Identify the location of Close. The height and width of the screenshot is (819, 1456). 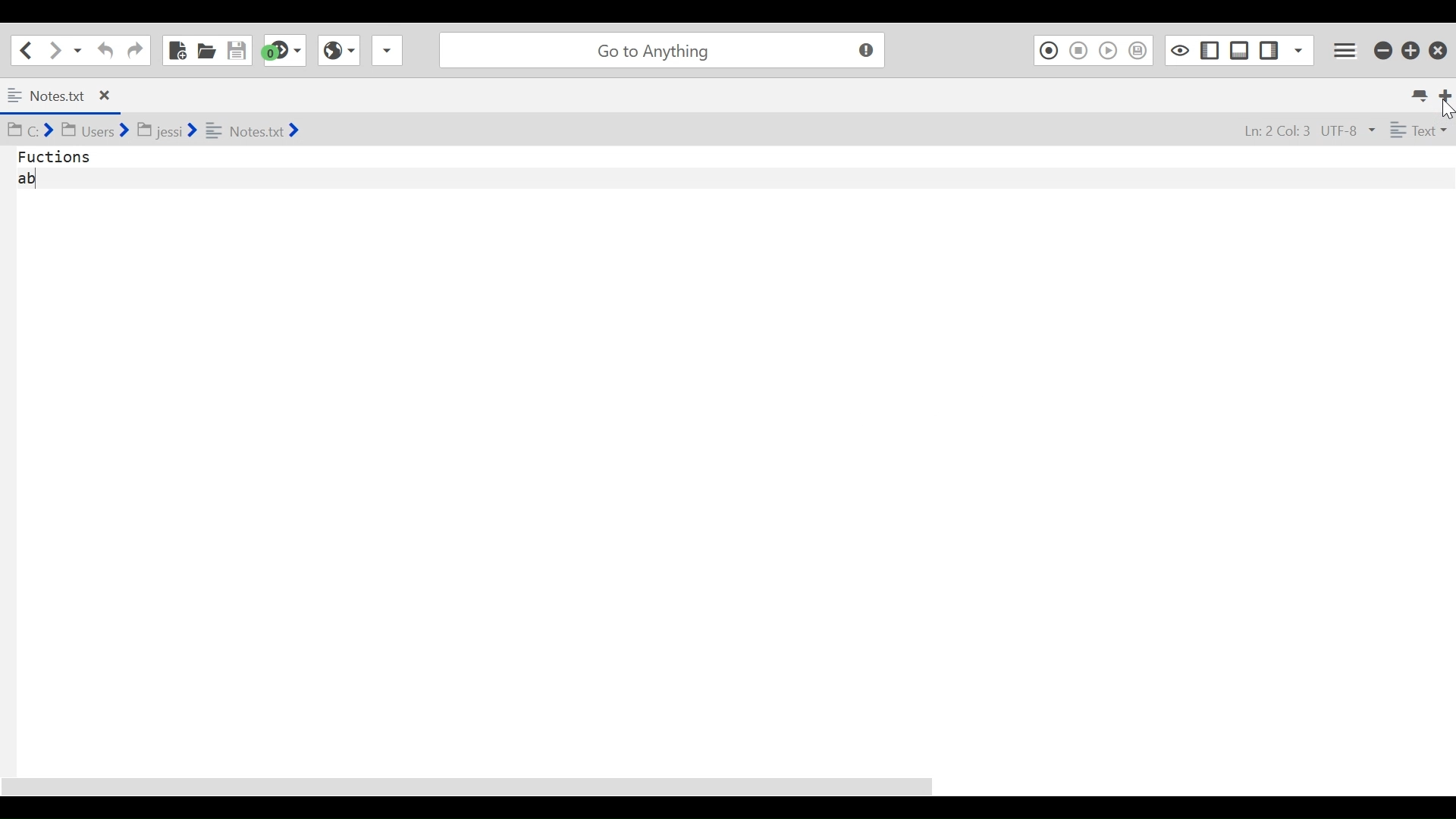
(1439, 51).